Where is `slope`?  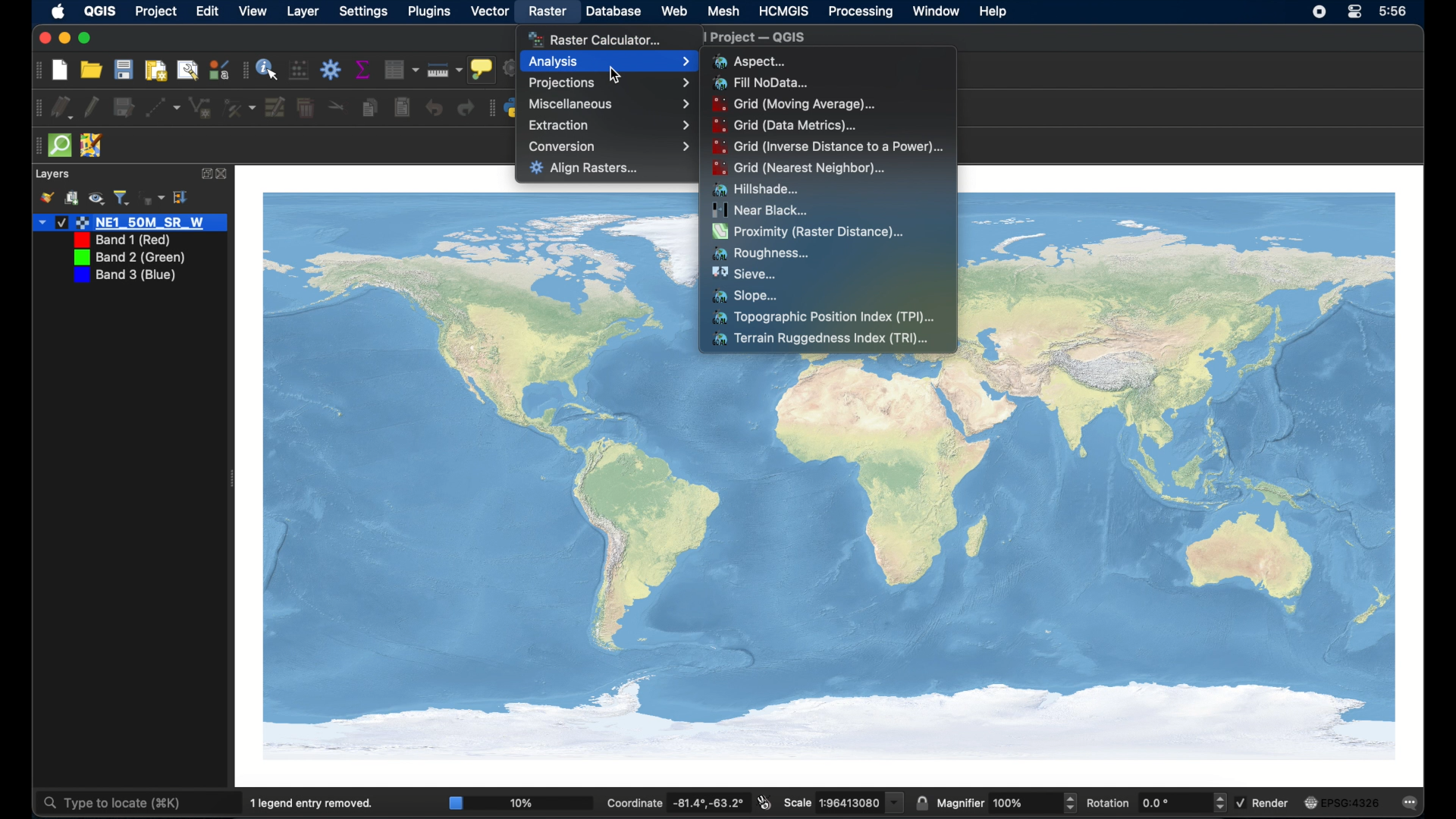 slope is located at coordinates (748, 296).